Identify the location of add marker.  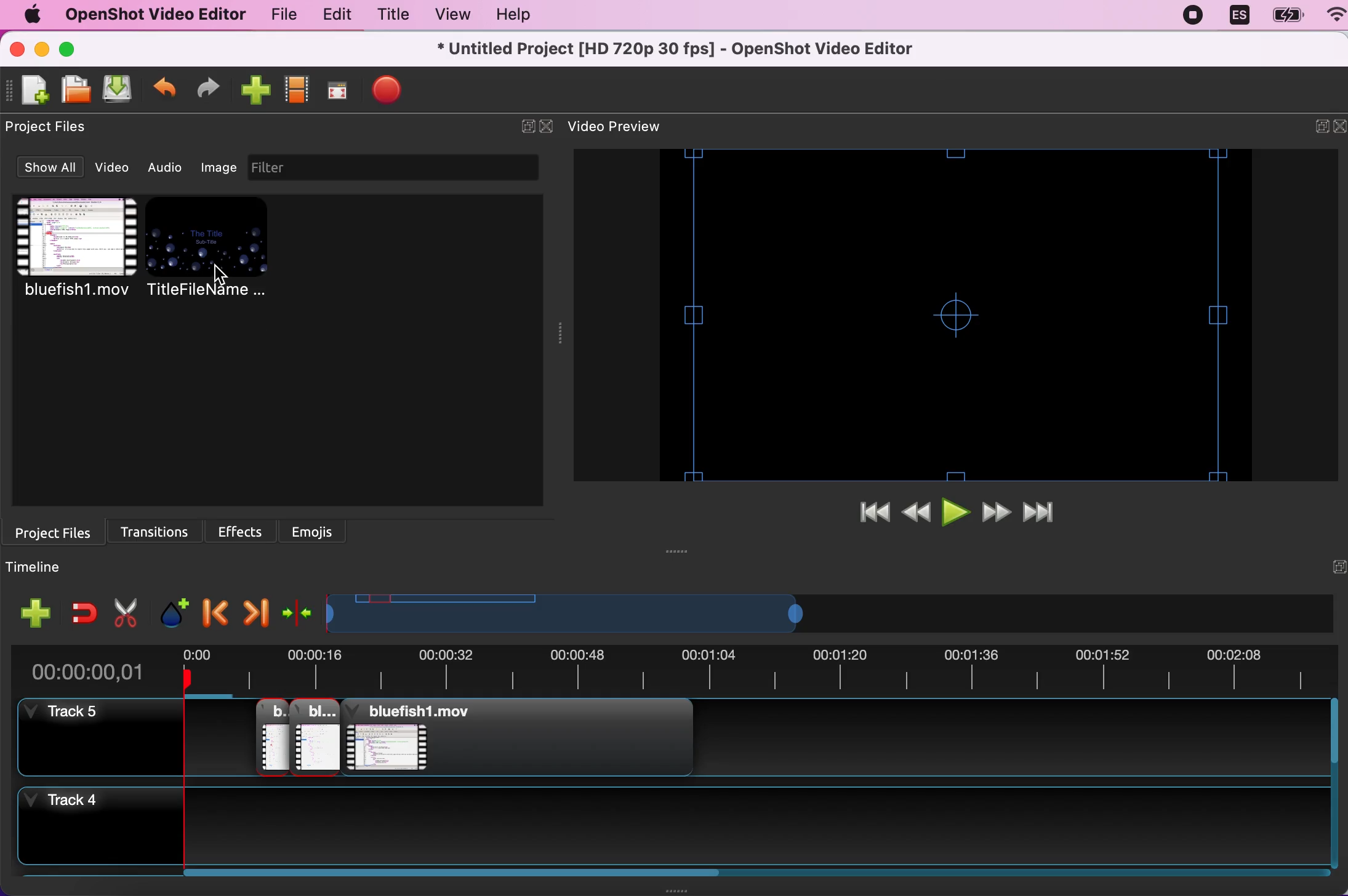
(173, 607).